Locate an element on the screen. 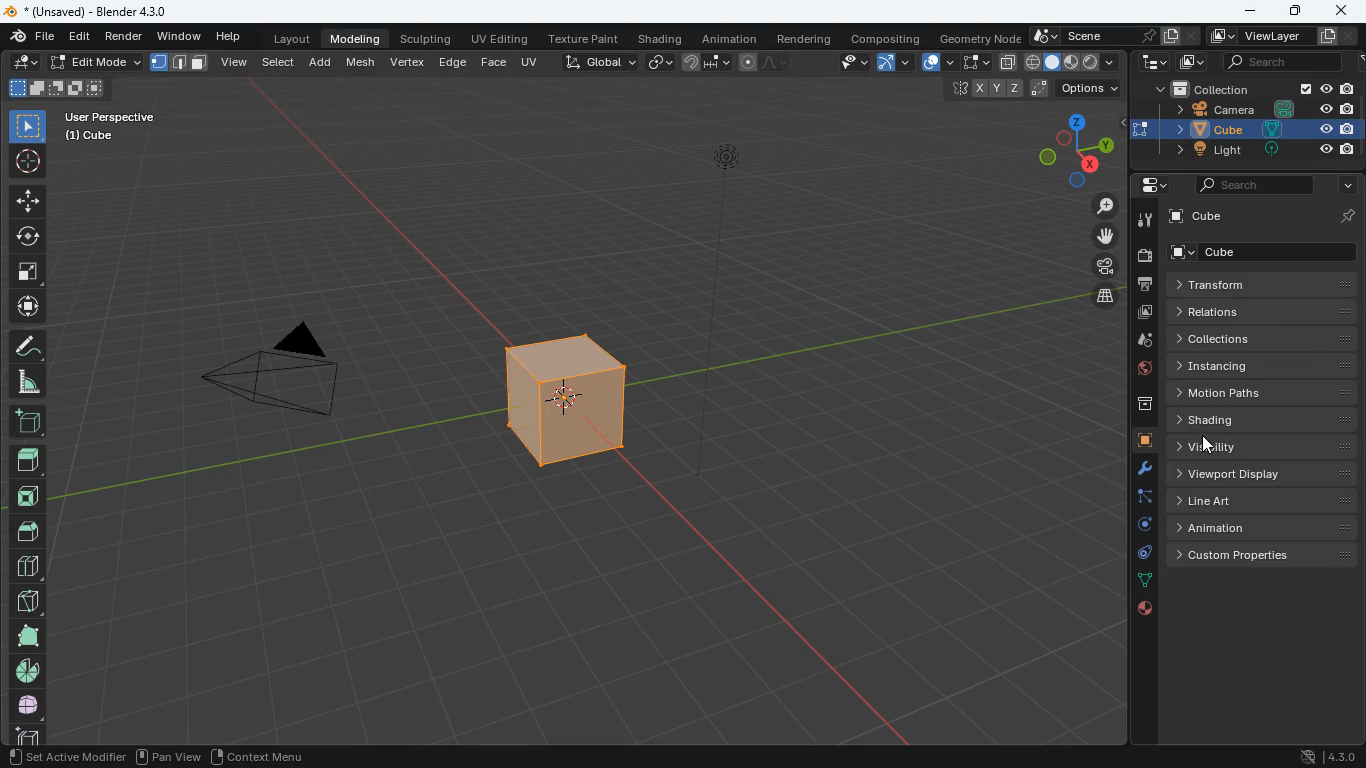  dd is located at coordinates (28, 425).